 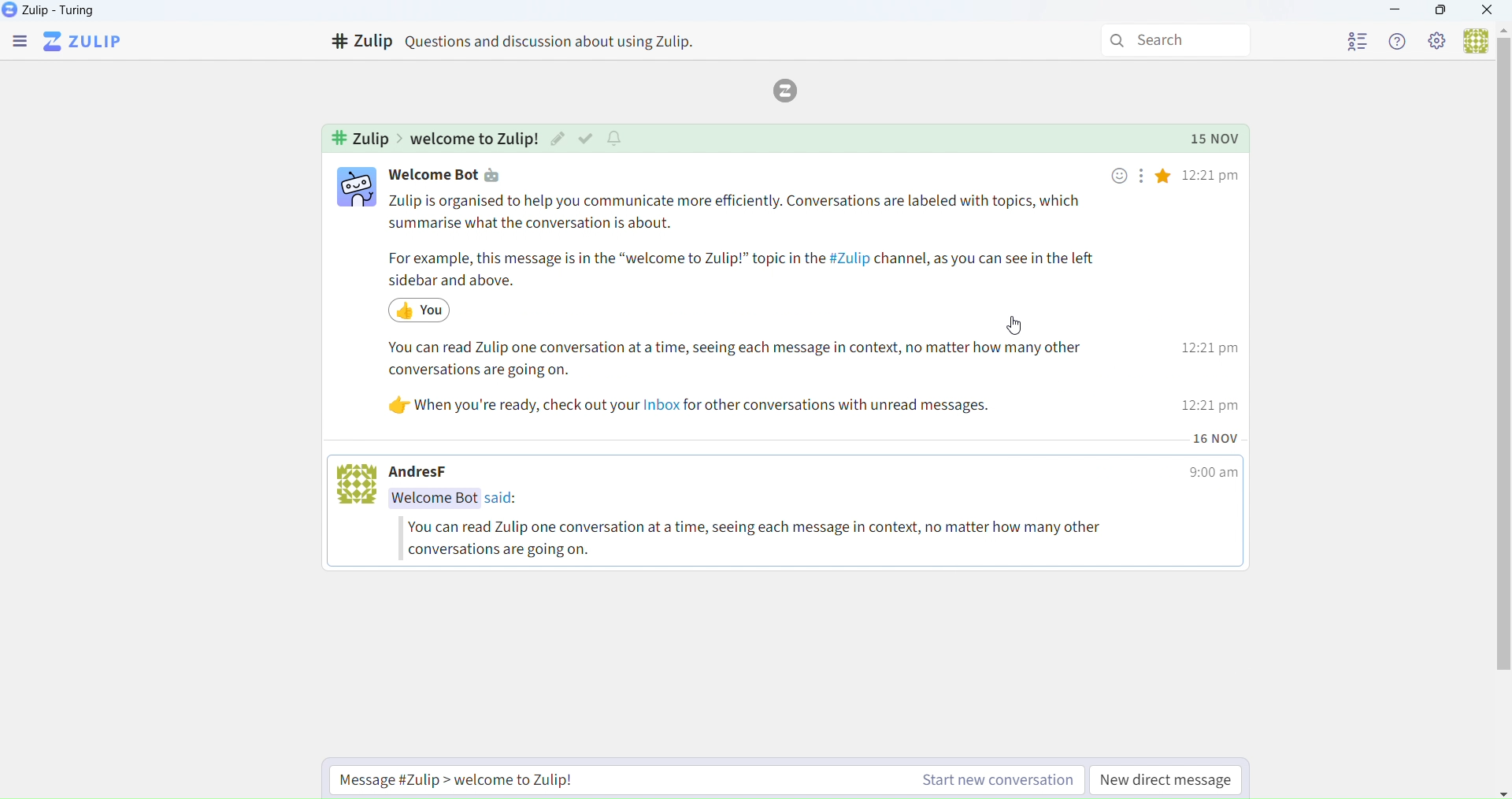 I want to click on Help, so click(x=1399, y=40).